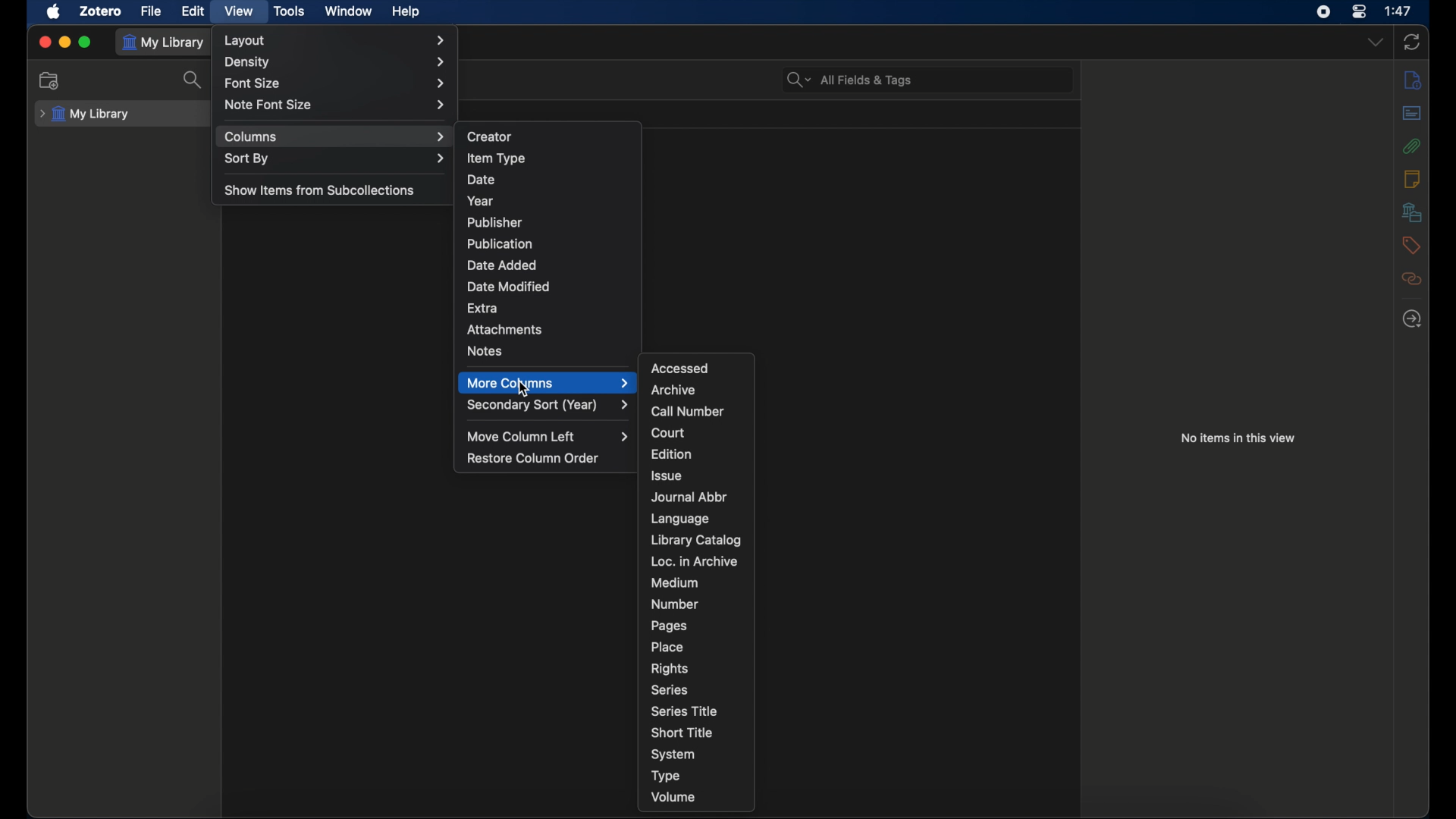 The image size is (1456, 819). Describe the element at coordinates (1412, 146) in the screenshot. I see `attachments` at that location.